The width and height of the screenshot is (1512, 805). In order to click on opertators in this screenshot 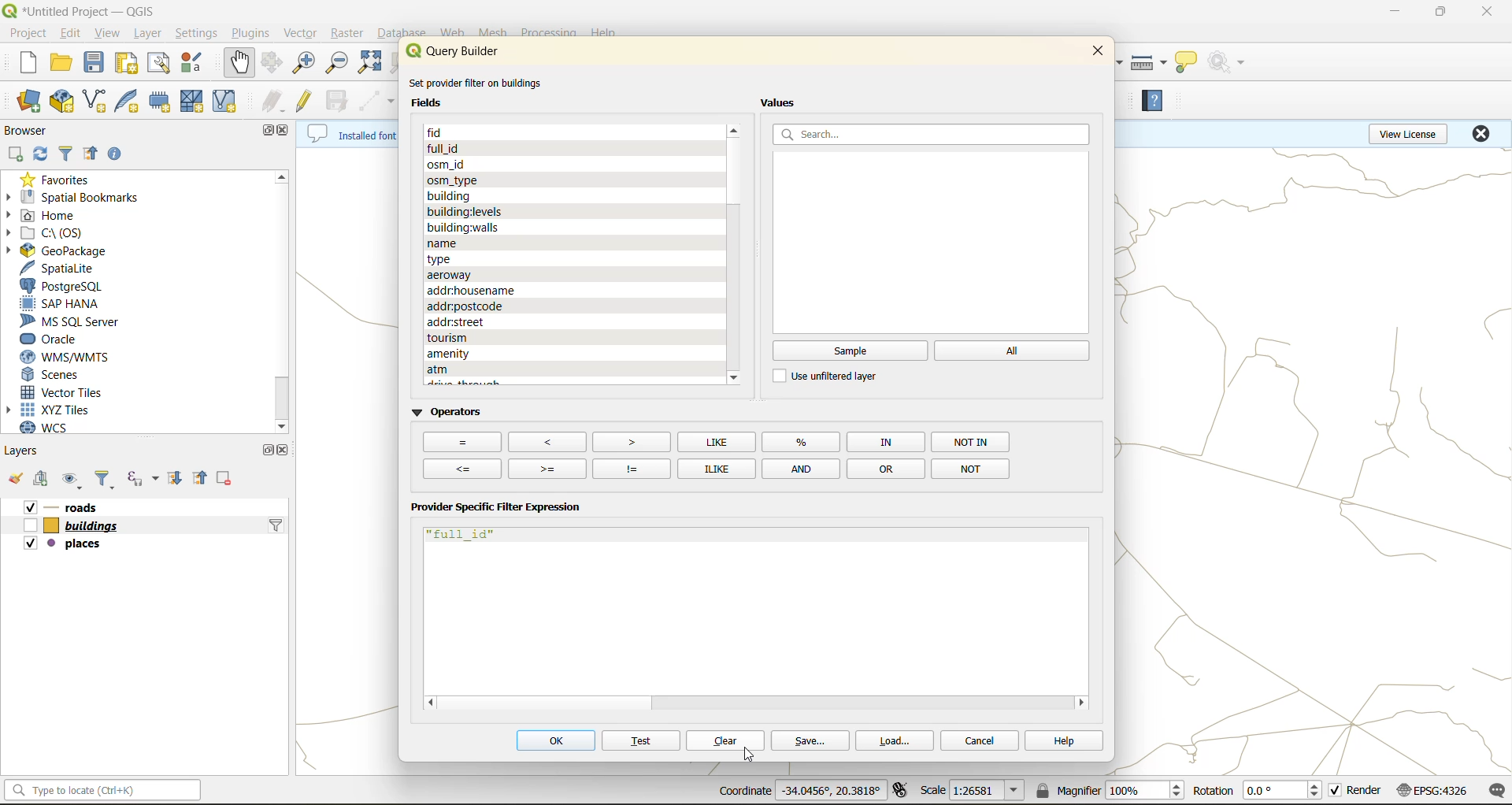, I will do `click(631, 468)`.